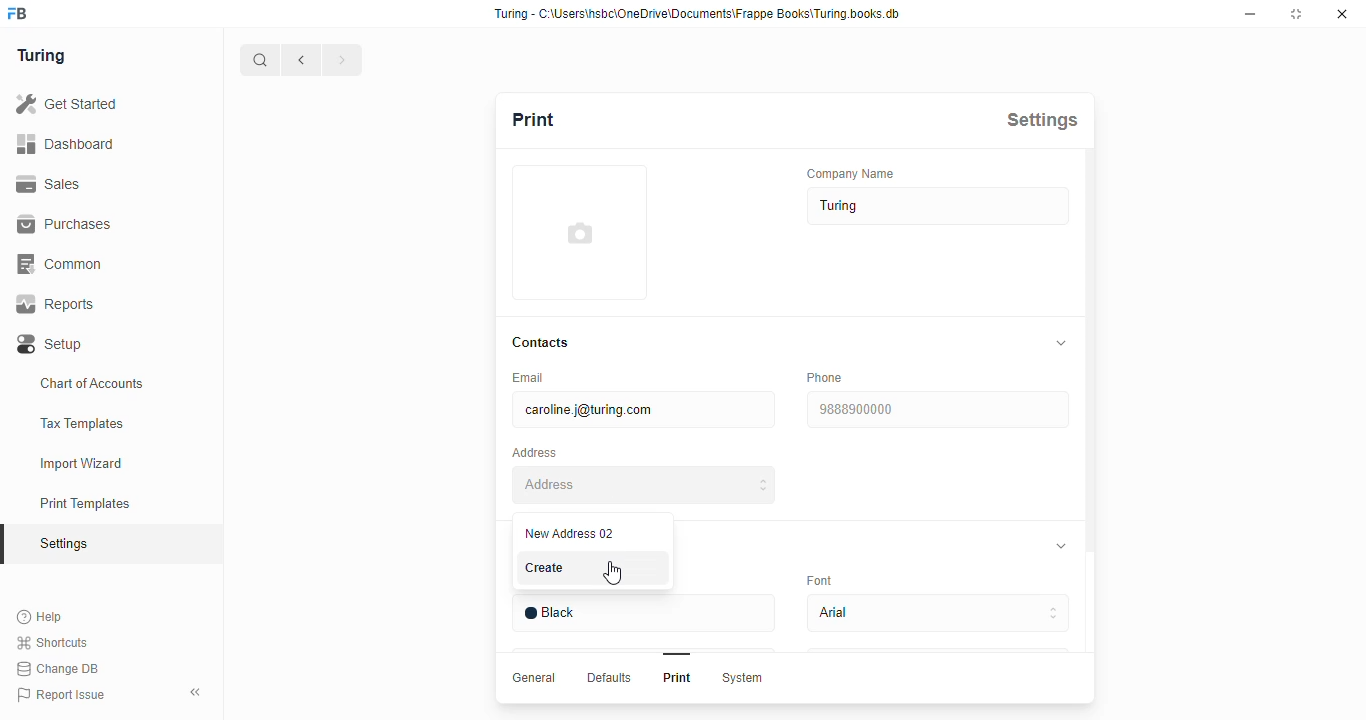 The image size is (1366, 720). I want to click on change DB, so click(57, 669).